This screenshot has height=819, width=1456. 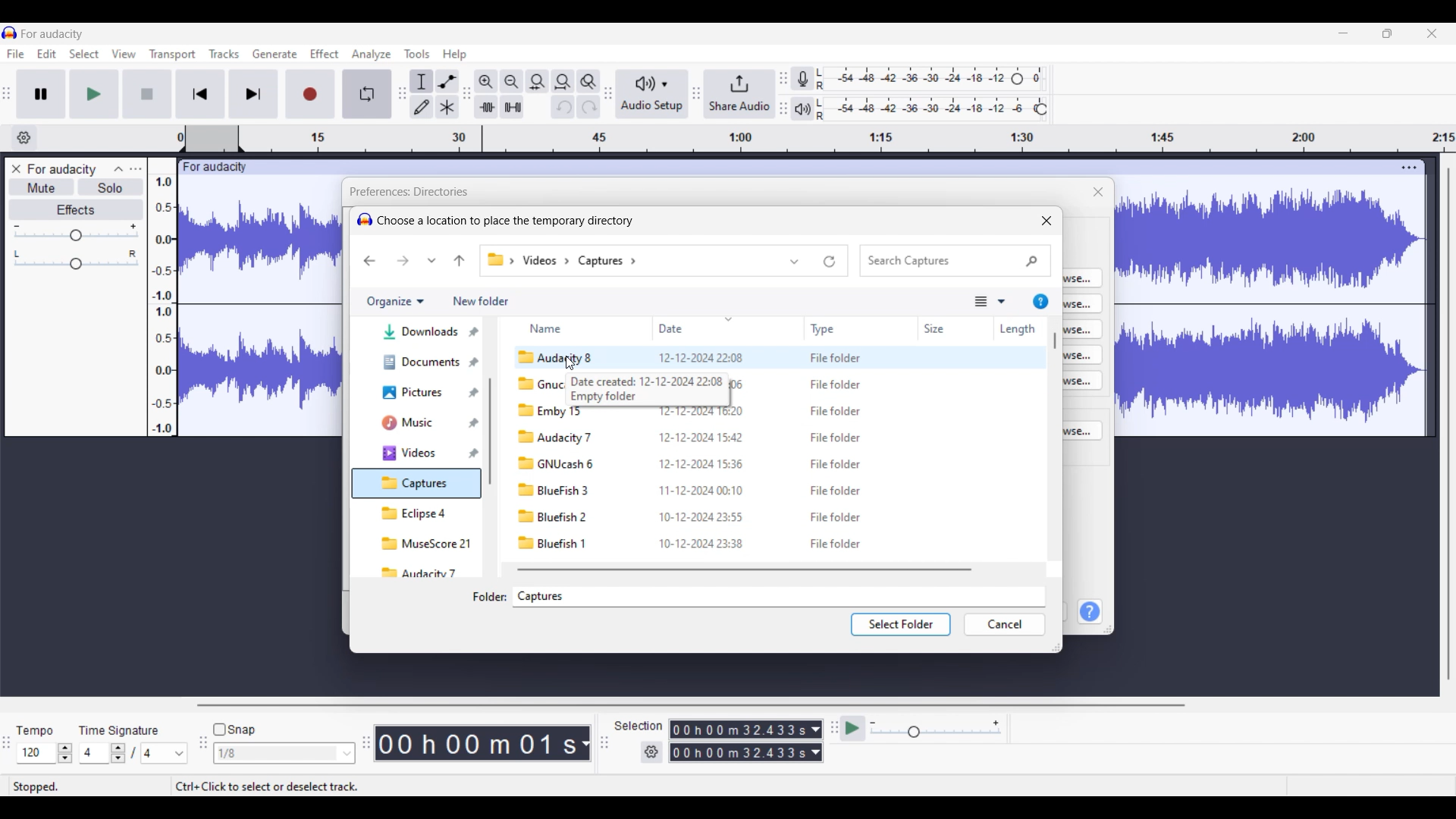 What do you see at coordinates (795, 261) in the screenshot?
I see `Previous locations ` at bounding box center [795, 261].